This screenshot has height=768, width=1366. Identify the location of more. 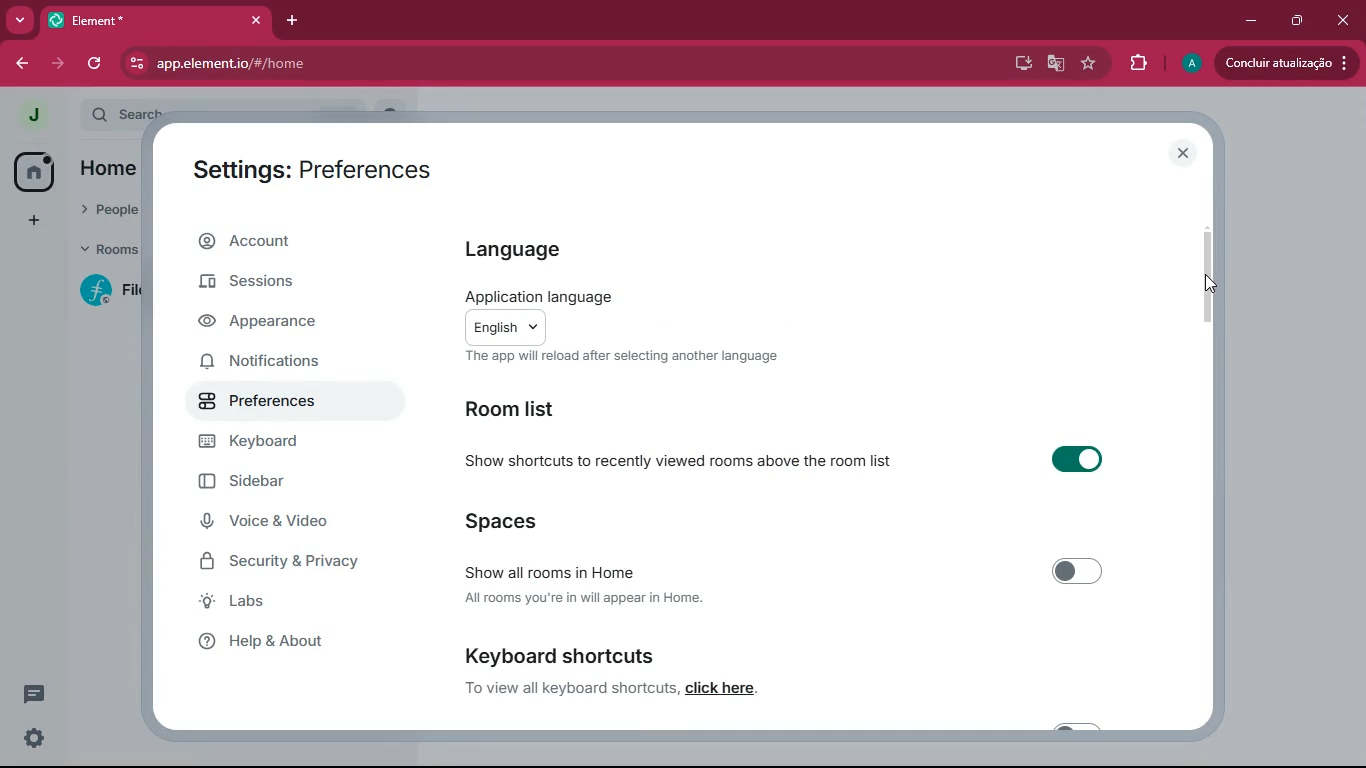
(32, 218).